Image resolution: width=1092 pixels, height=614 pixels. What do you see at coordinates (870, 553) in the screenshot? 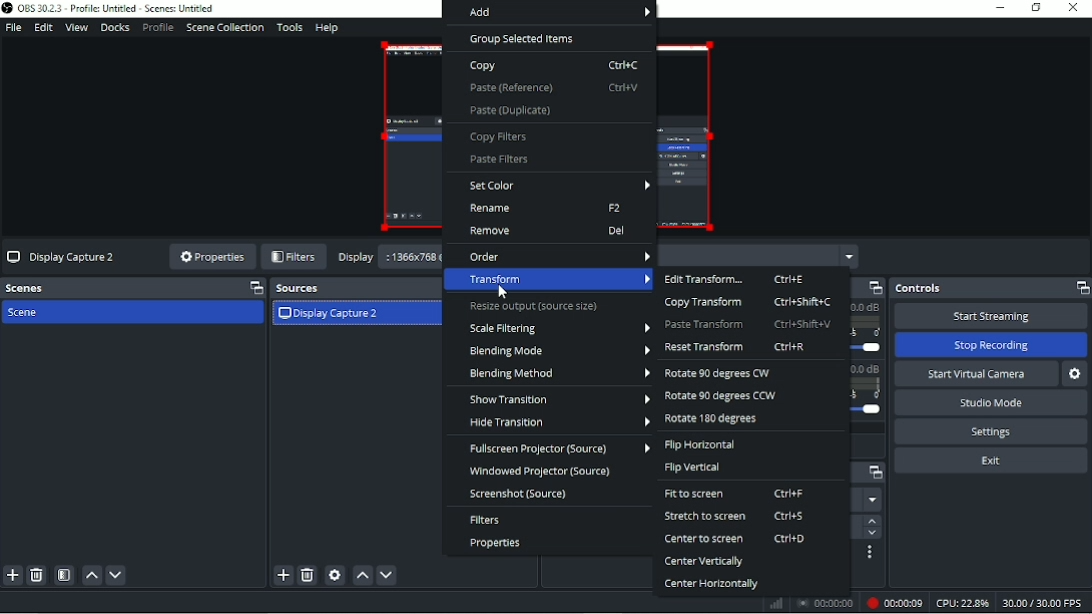
I see `Transition properties` at bounding box center [870, 553].